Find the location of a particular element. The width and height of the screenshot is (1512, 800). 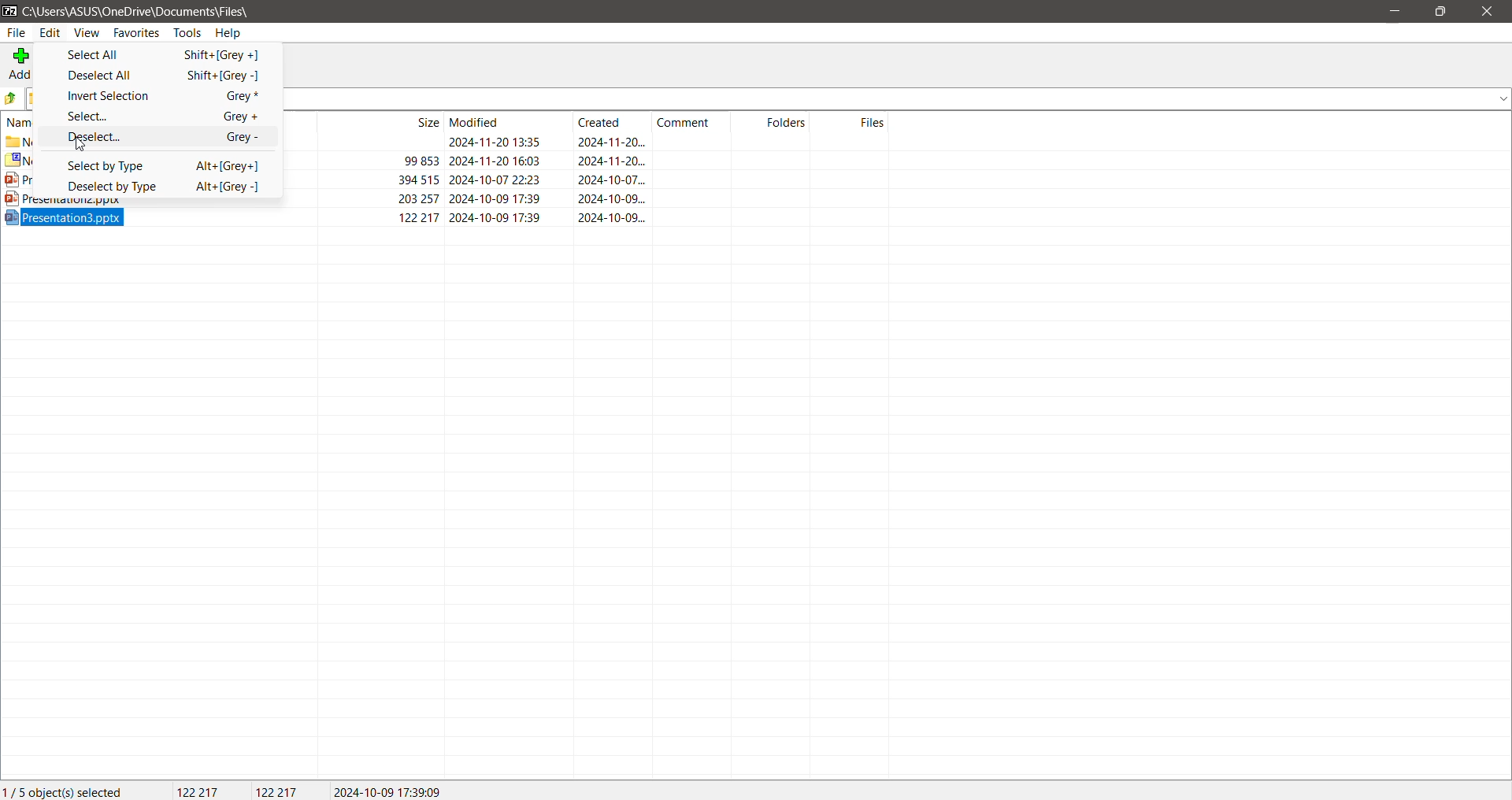

Restore Down is located at coordinates (1442, 13).